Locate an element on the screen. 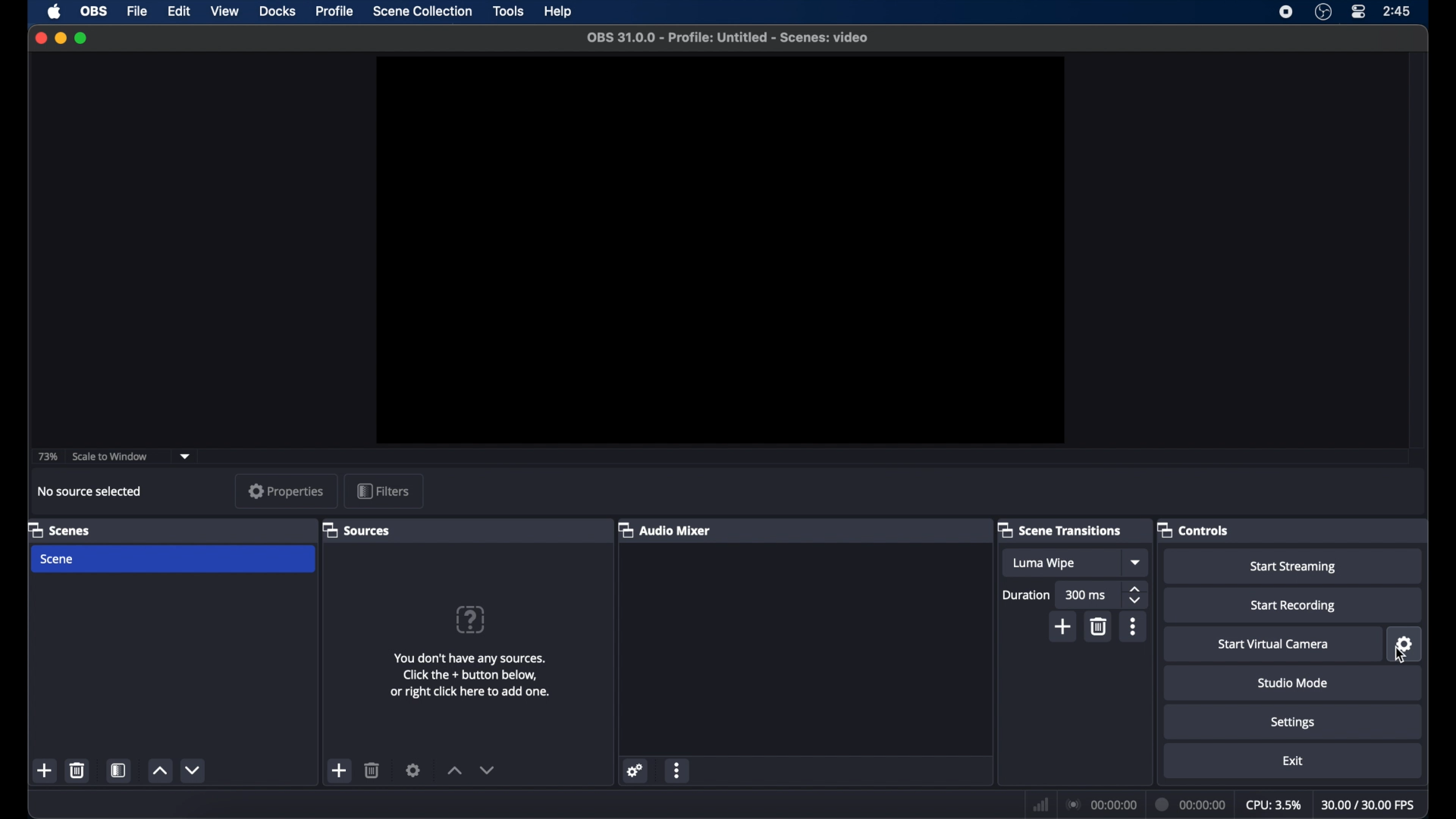 Image resolution: width=1456 pixels, height=819 pixels. apple icon is located at coordinates (55, 11).